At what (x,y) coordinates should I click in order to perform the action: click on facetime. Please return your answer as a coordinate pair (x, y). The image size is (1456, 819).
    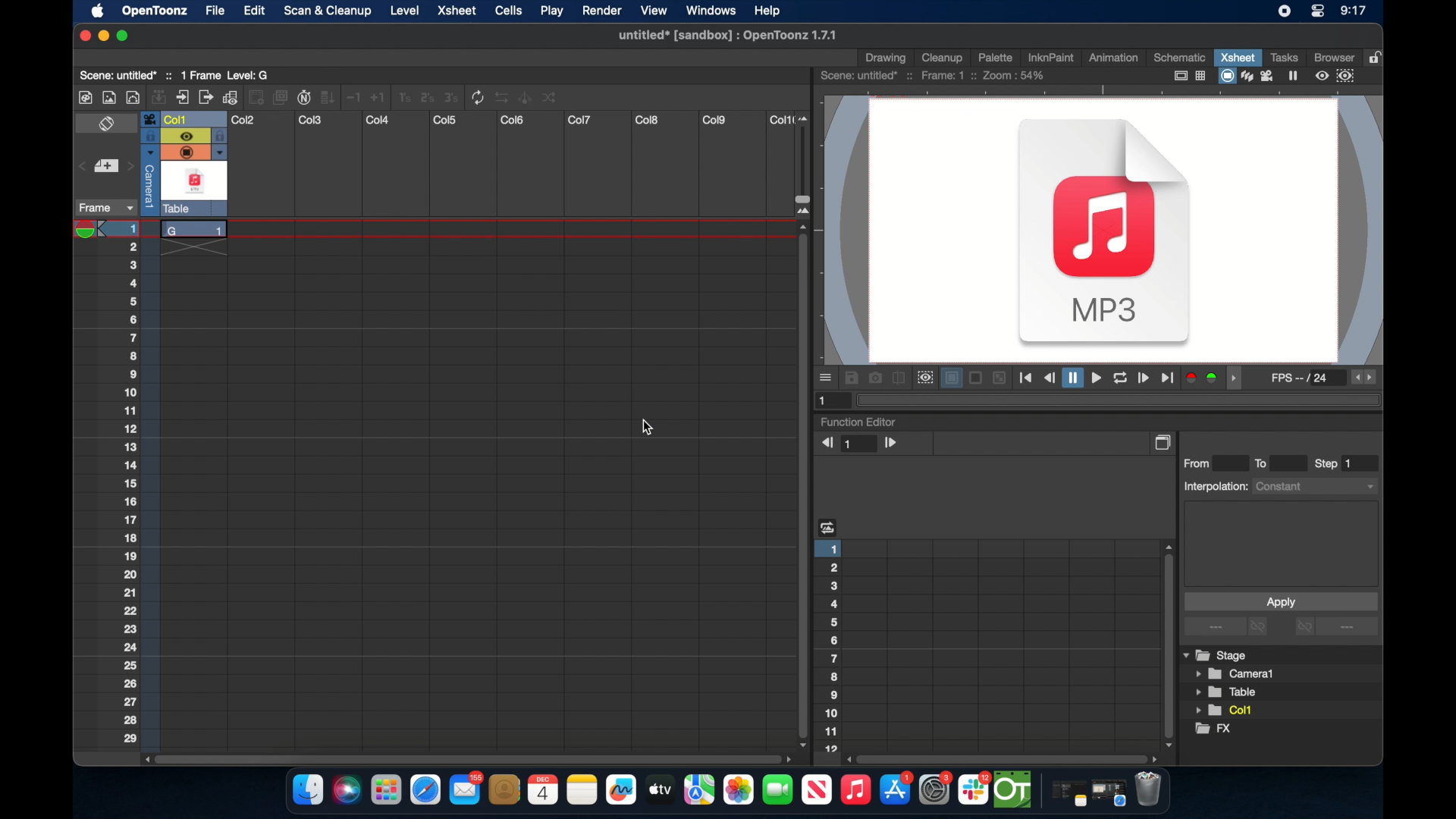
    Looking at the image, I should click on (778, 788).